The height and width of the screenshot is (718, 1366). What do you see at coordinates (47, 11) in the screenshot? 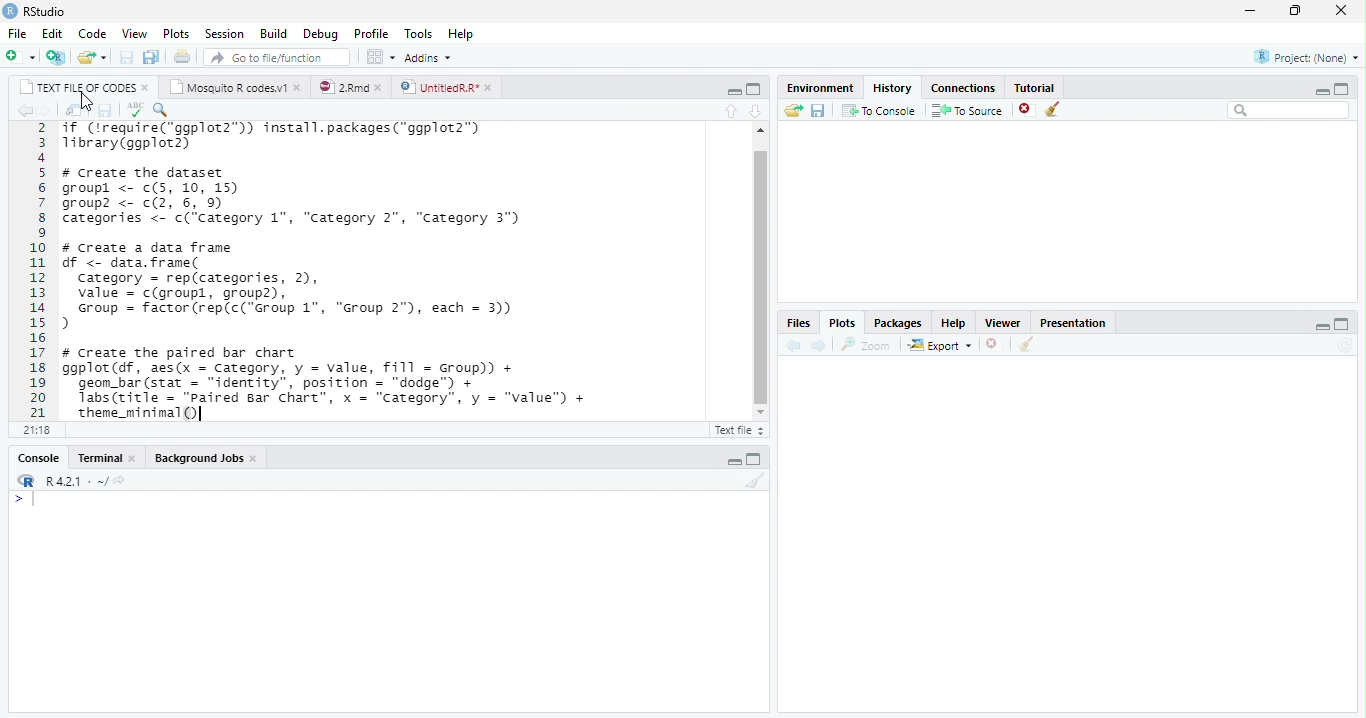
I see `RStudio` at bounding box center [47, 11].